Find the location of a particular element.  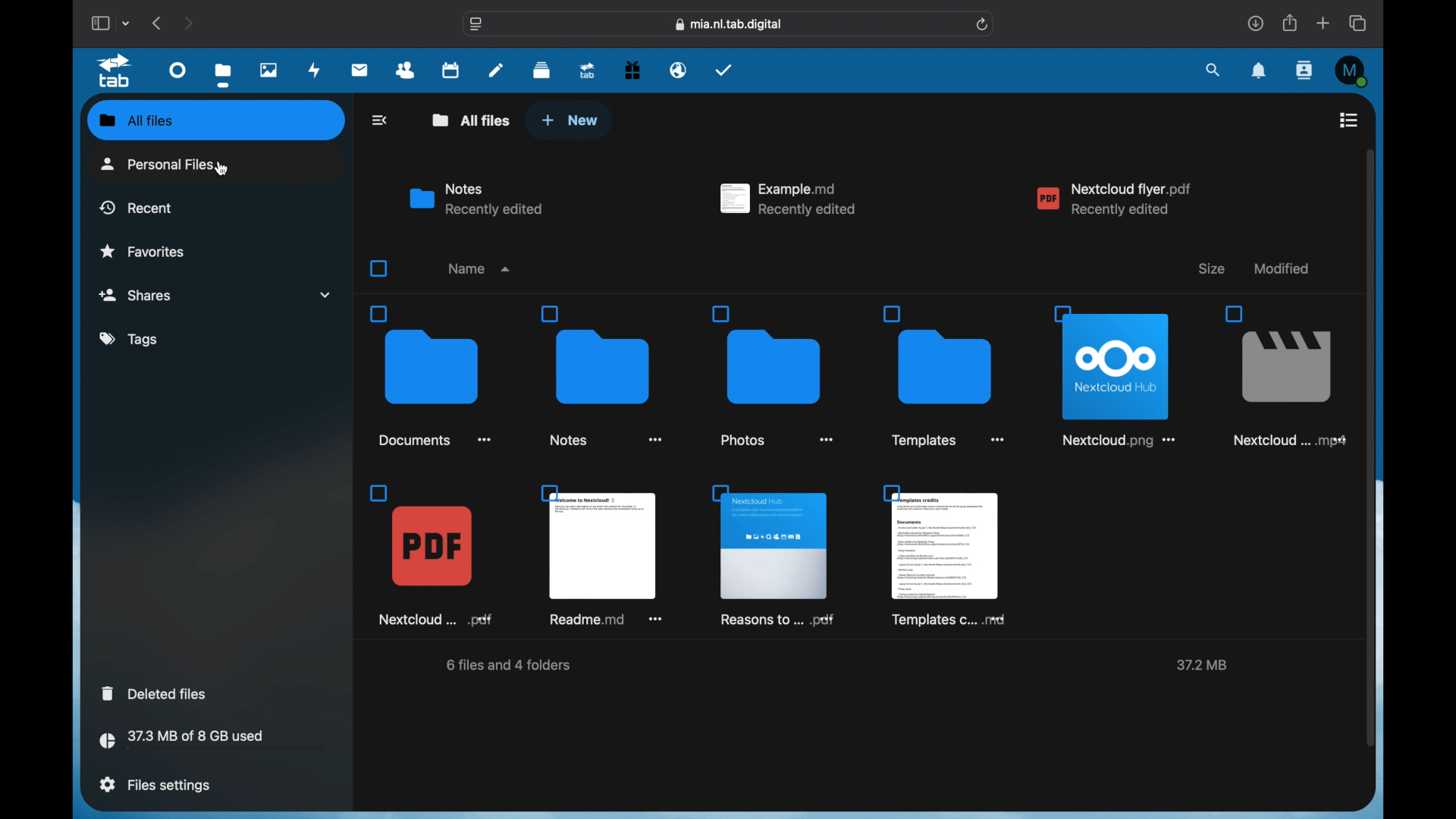

name is located at coordinates (481, 268).